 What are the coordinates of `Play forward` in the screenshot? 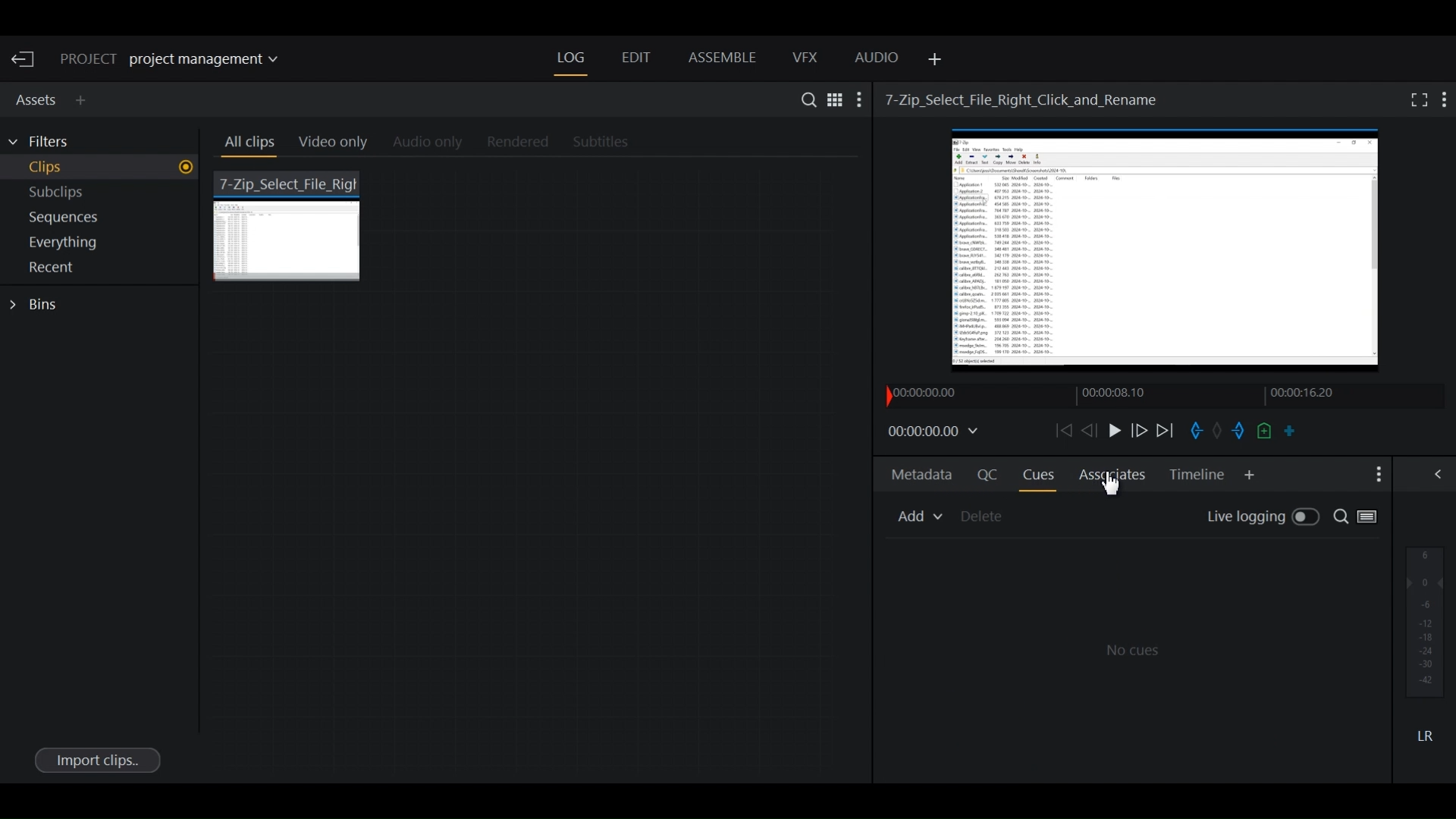 It's located at (1166, 431).